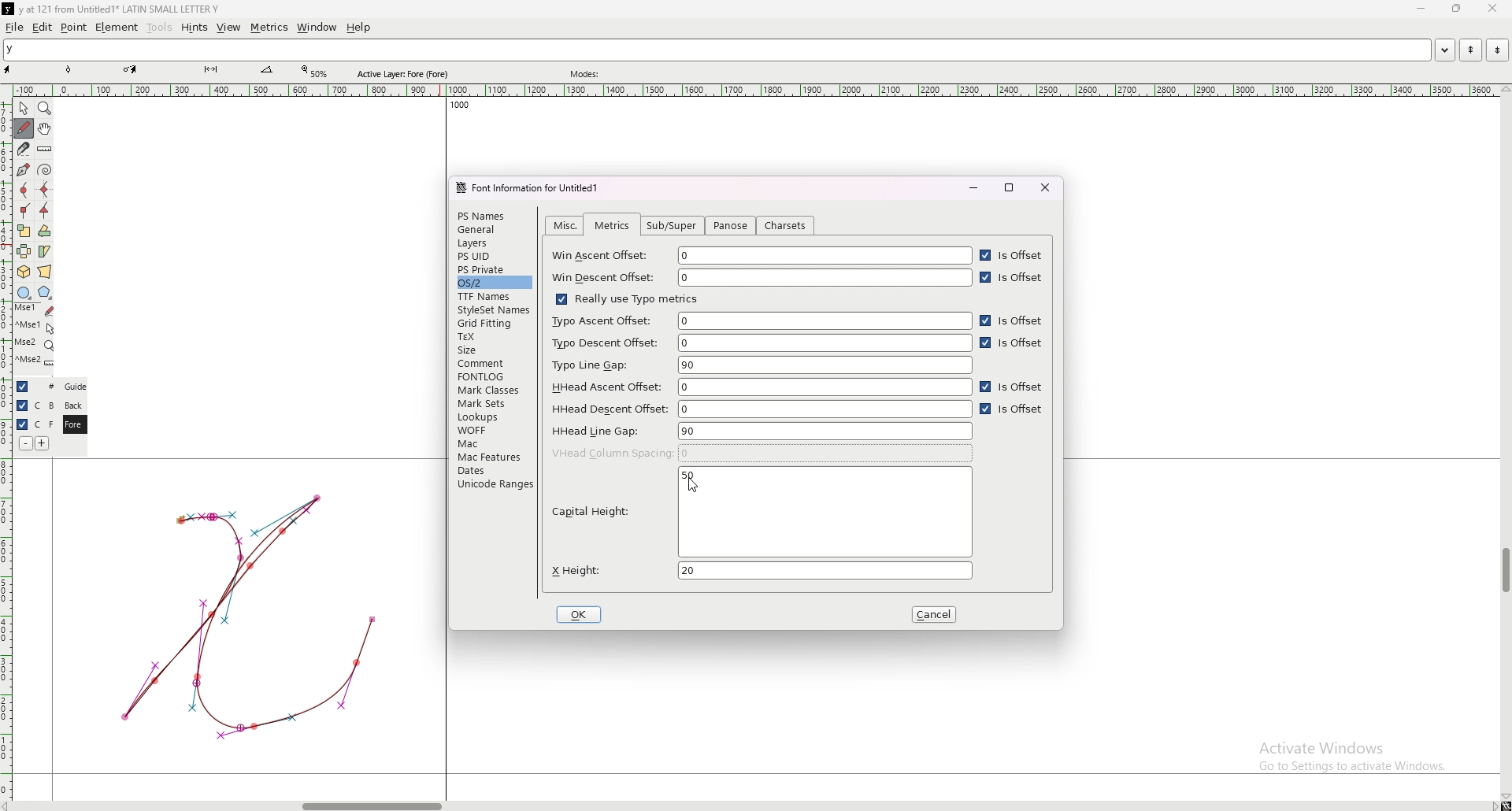 This screenshot has width=1512, height=811. I want to click on 1000, so click(456, 107).